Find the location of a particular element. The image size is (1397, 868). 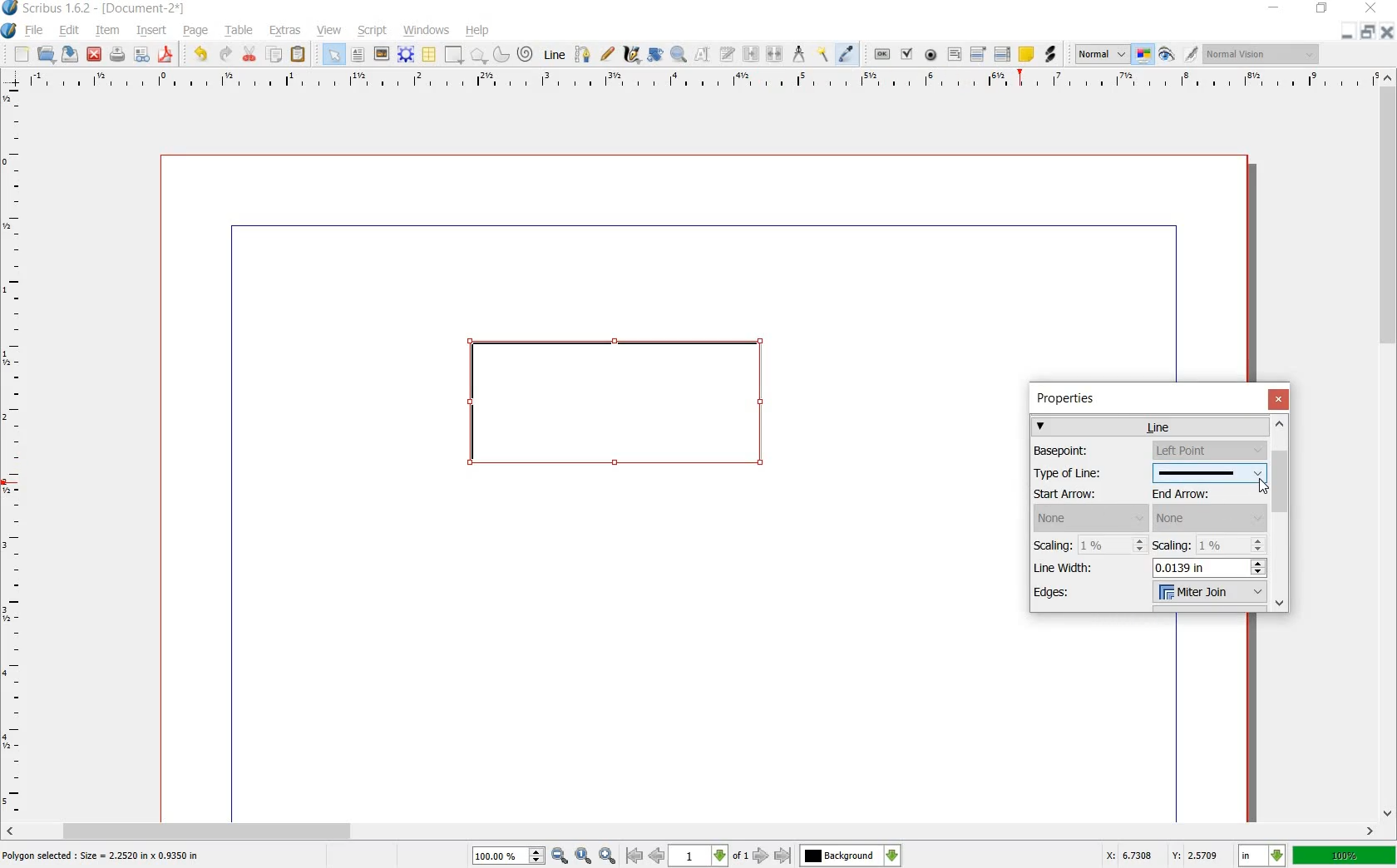

type of line is located at coordinates (1209, 472).